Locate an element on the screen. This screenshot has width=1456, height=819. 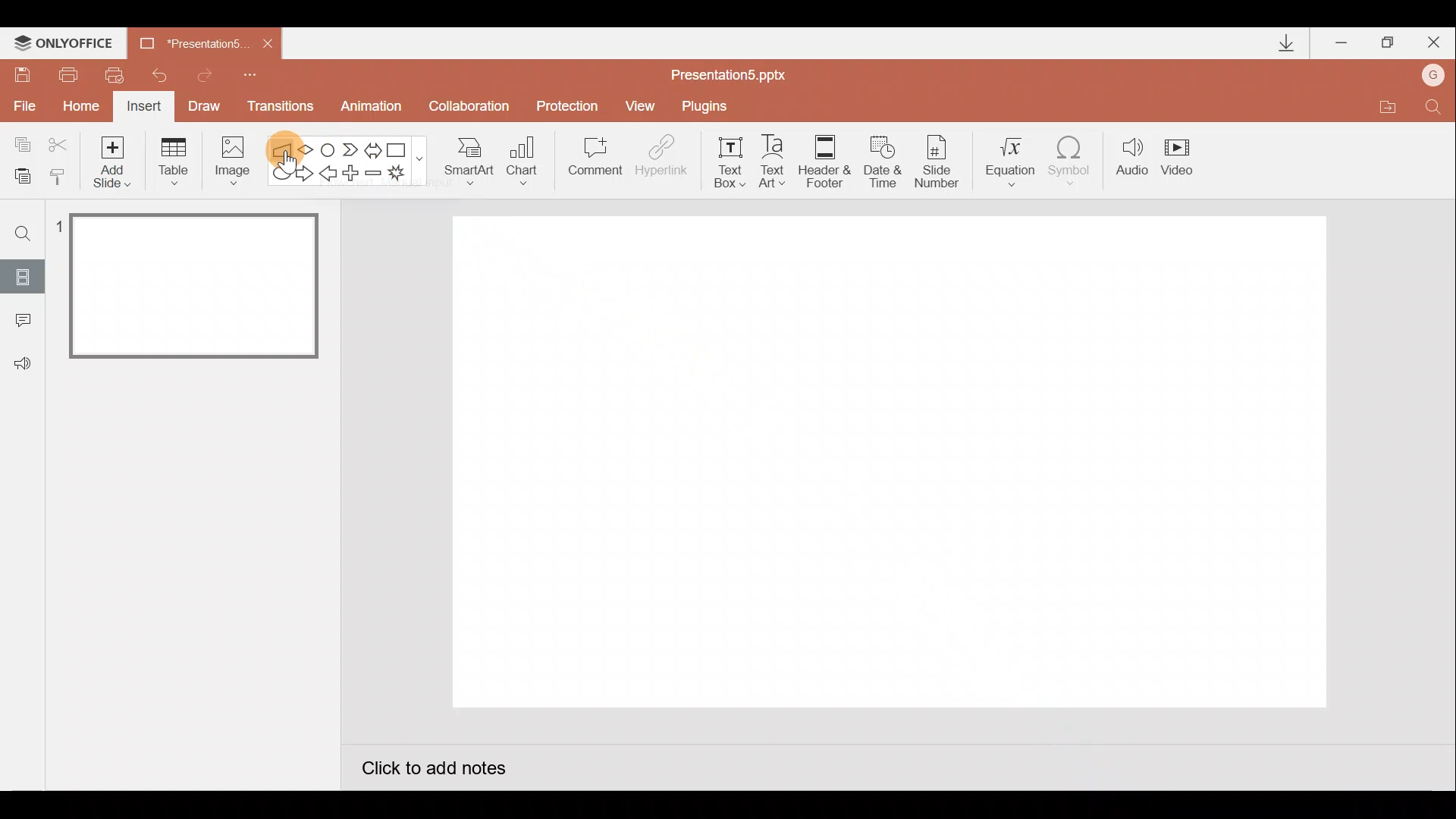
View is located at coordinates (642, 105).